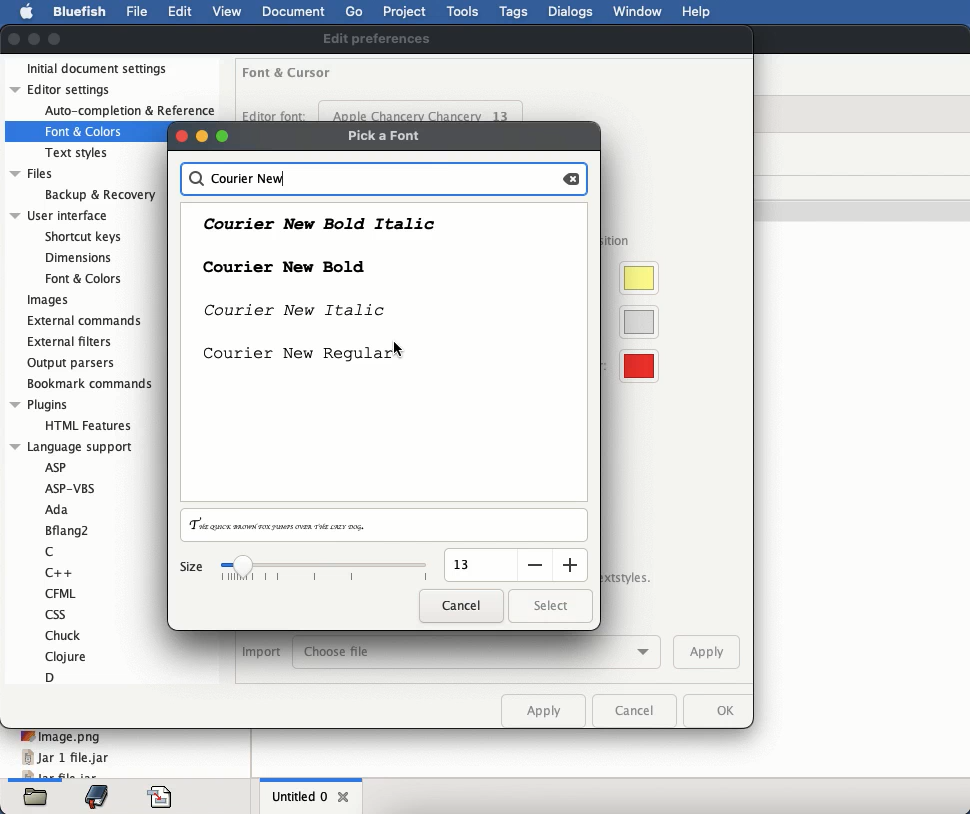 This screenshot has width=970, height=814. What do you see at coordinates (407, 12) in the screenshot?
I see `project` at bounding box center [407, 12].